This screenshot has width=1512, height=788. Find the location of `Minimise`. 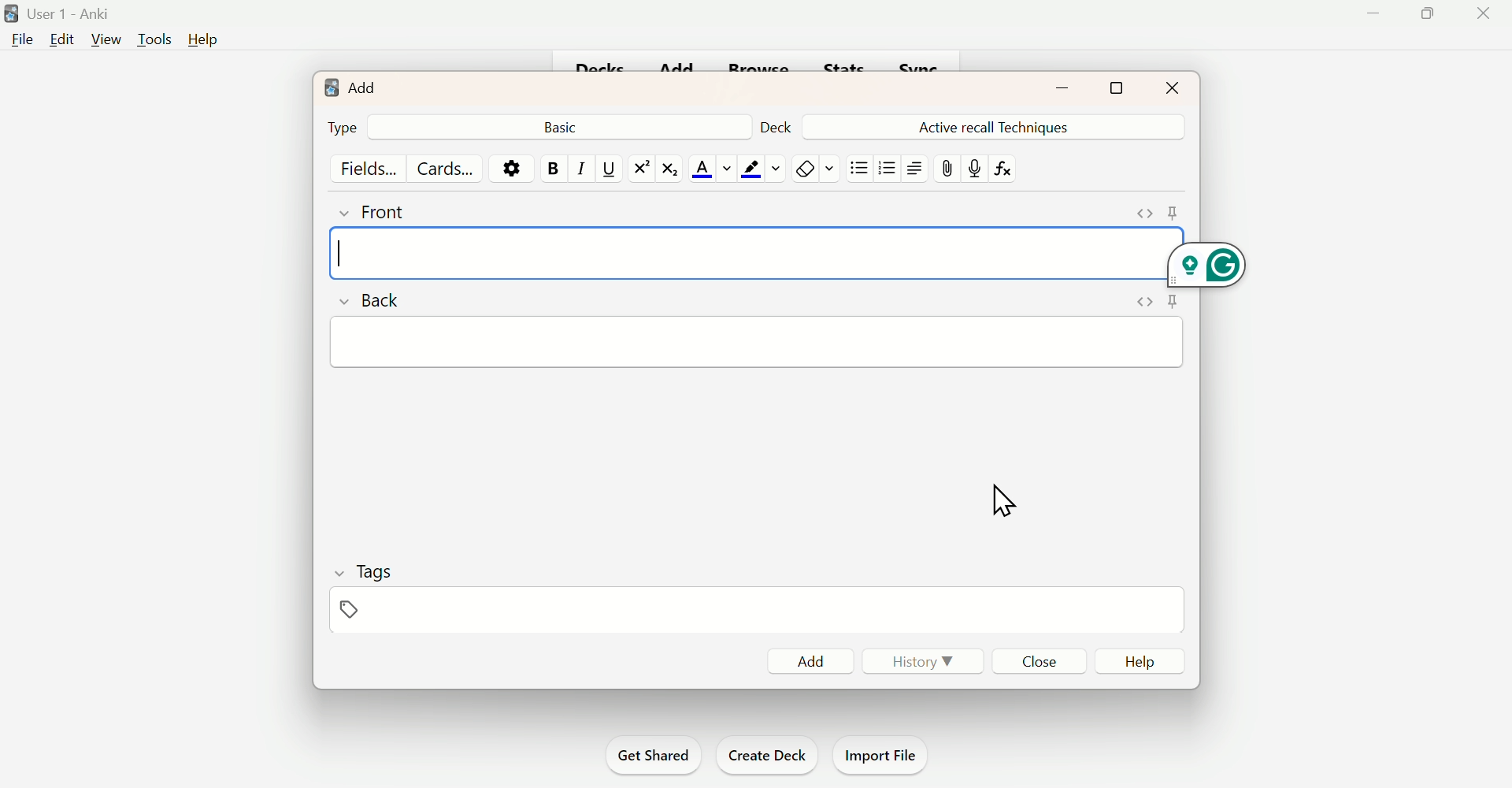

Minimise is located at coordinates (1373, 15).